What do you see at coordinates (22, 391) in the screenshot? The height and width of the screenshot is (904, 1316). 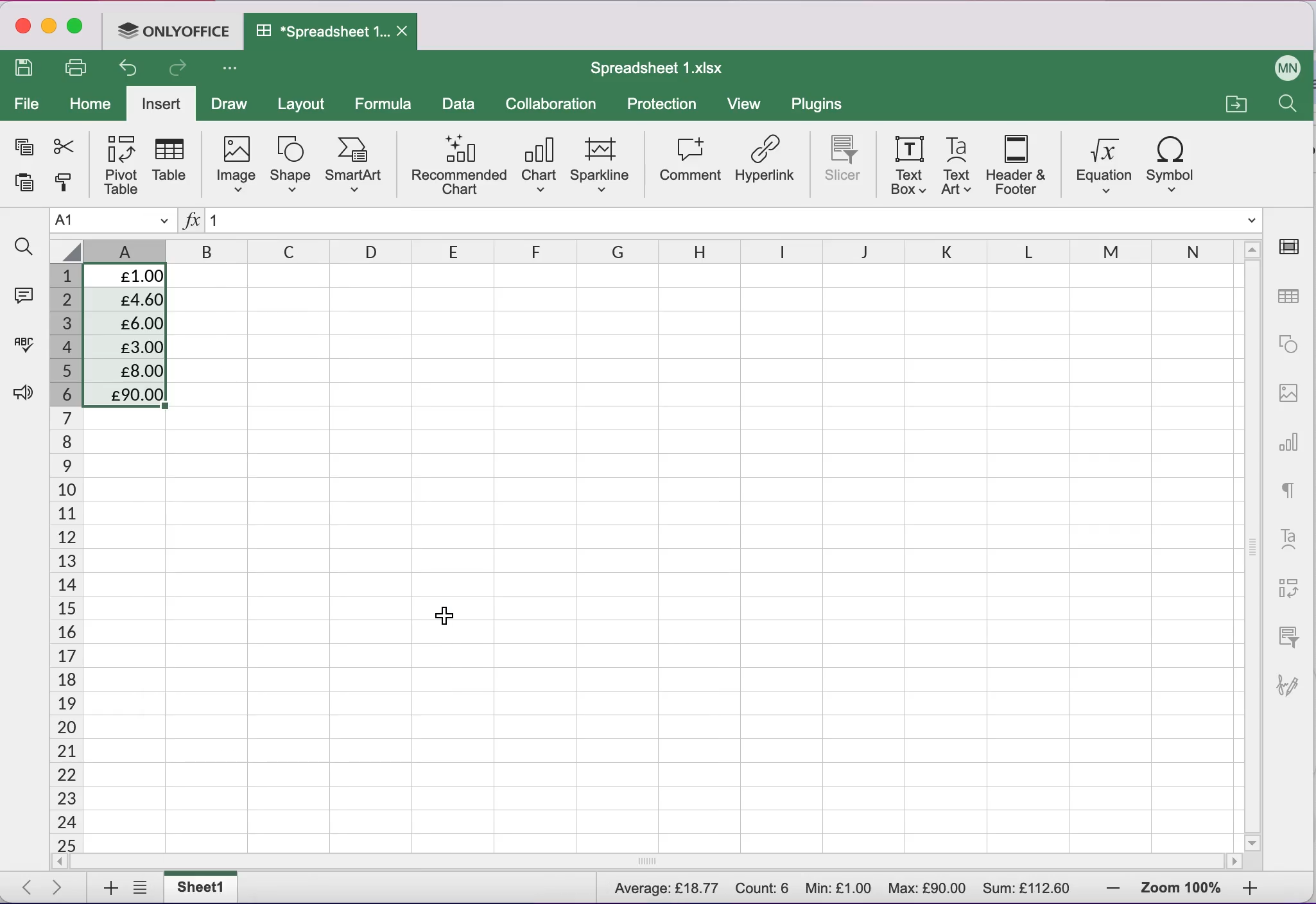 I see `feedback and support` at bounding box center [22, 391].